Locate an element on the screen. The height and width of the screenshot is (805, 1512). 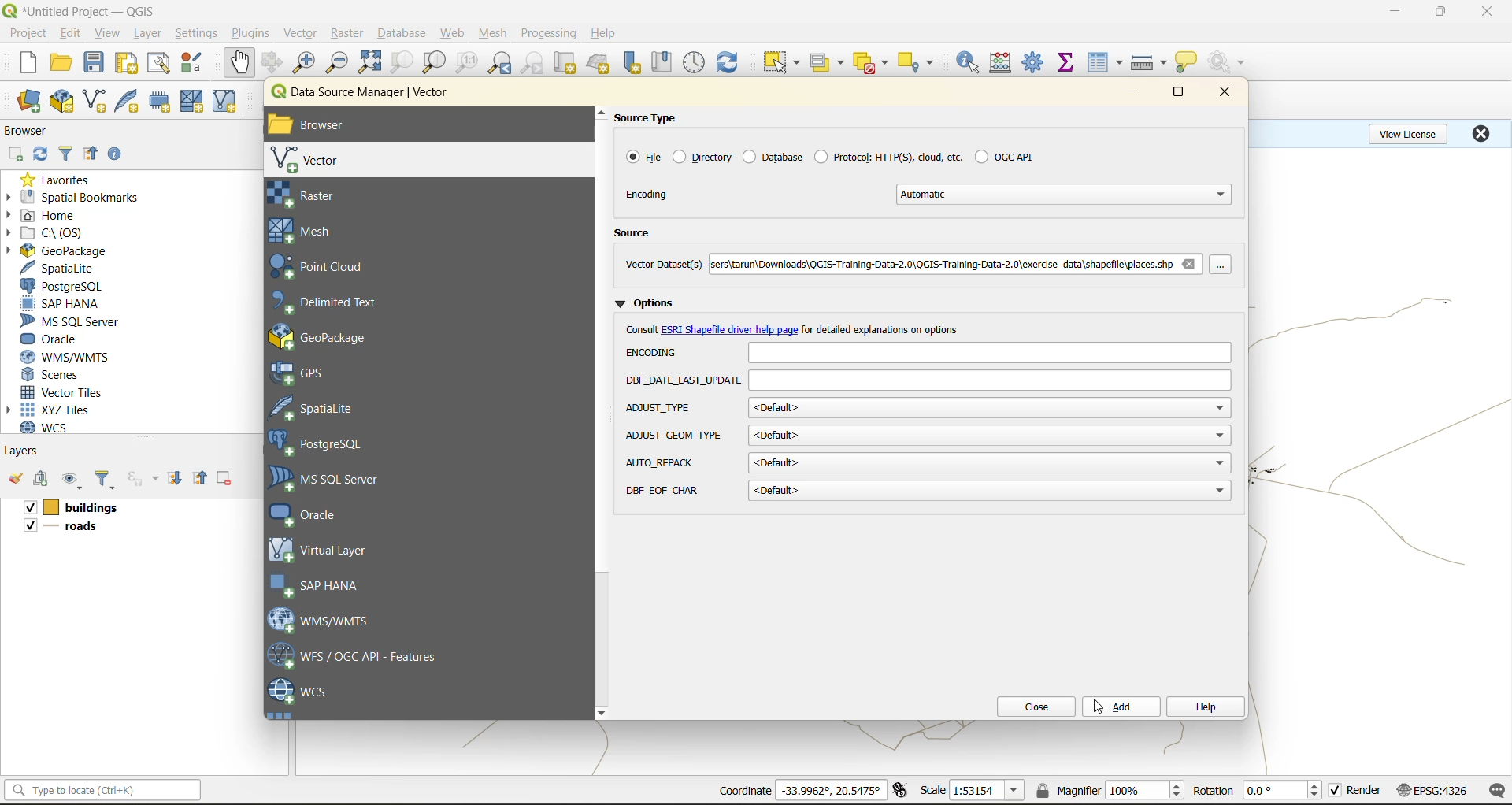
zoom out is located at coordinates (338, 61).